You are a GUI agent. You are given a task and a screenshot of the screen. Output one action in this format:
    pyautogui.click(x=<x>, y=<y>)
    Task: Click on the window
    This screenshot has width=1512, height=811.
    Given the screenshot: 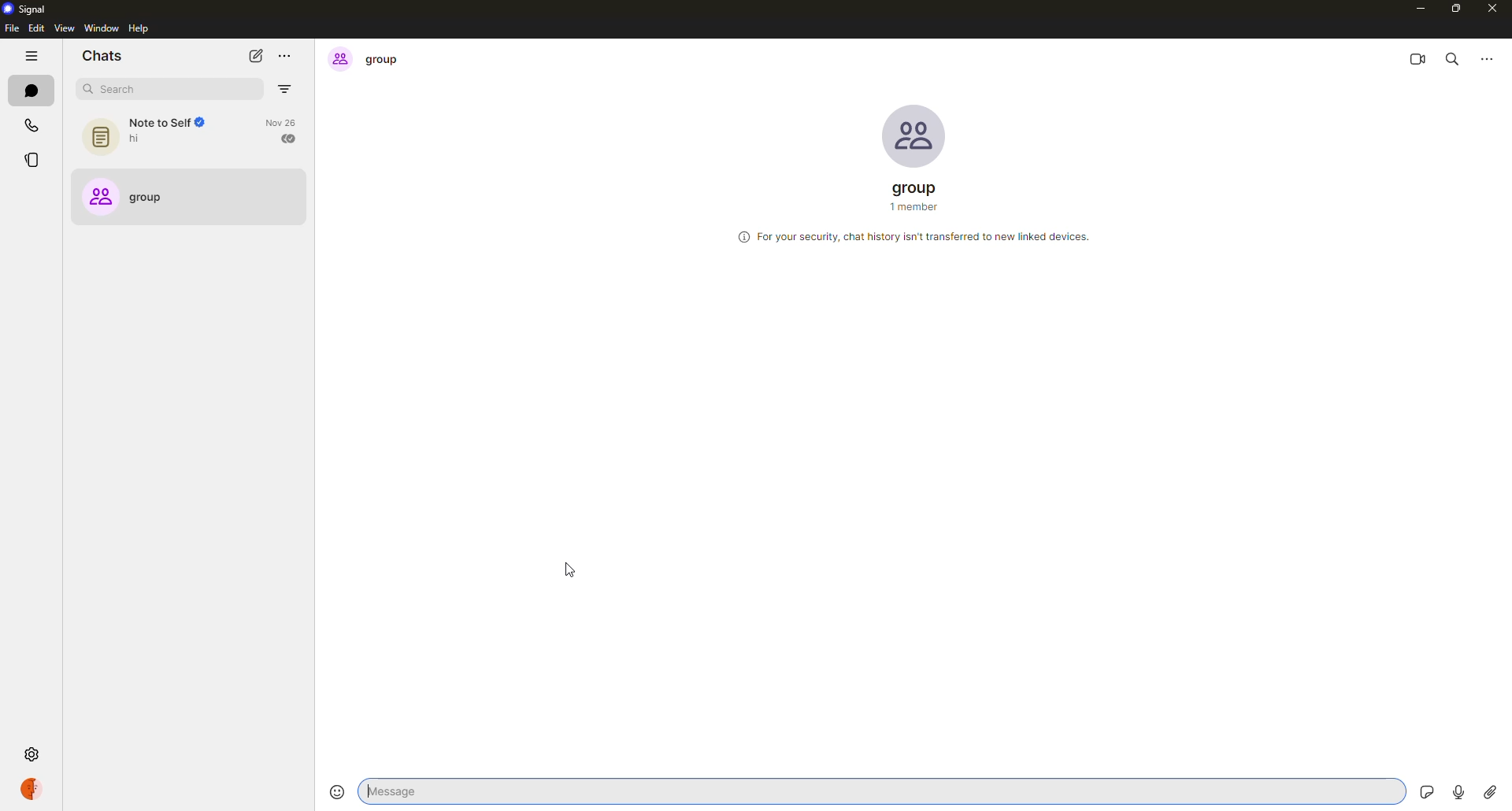 What is the action you would take?
    pyautogui.click(x=102, y=28)
    